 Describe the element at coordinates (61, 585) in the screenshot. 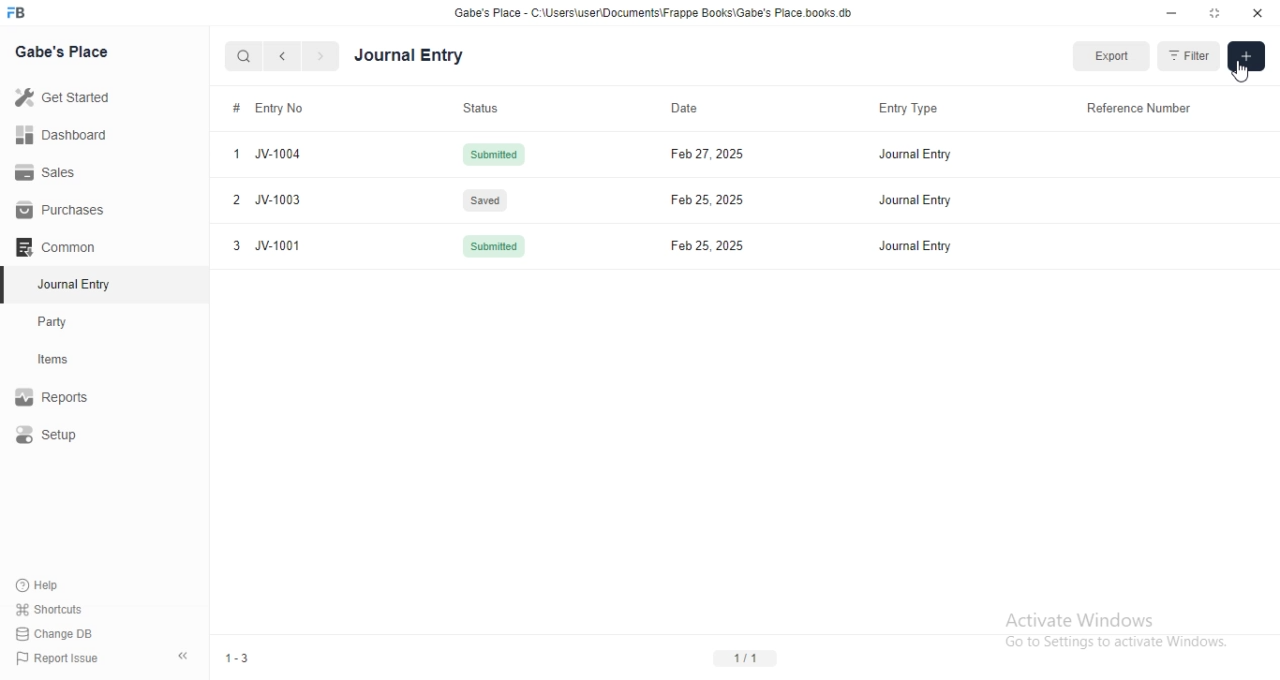

I see `‘Help` at that location.